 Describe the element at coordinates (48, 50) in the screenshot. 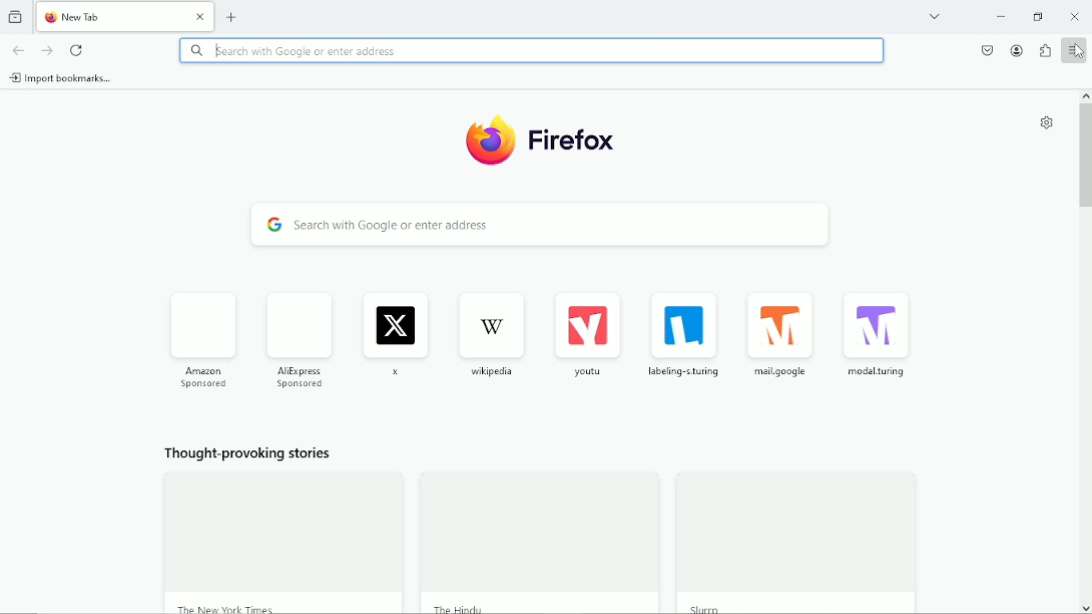

I see `go forward` at that location.